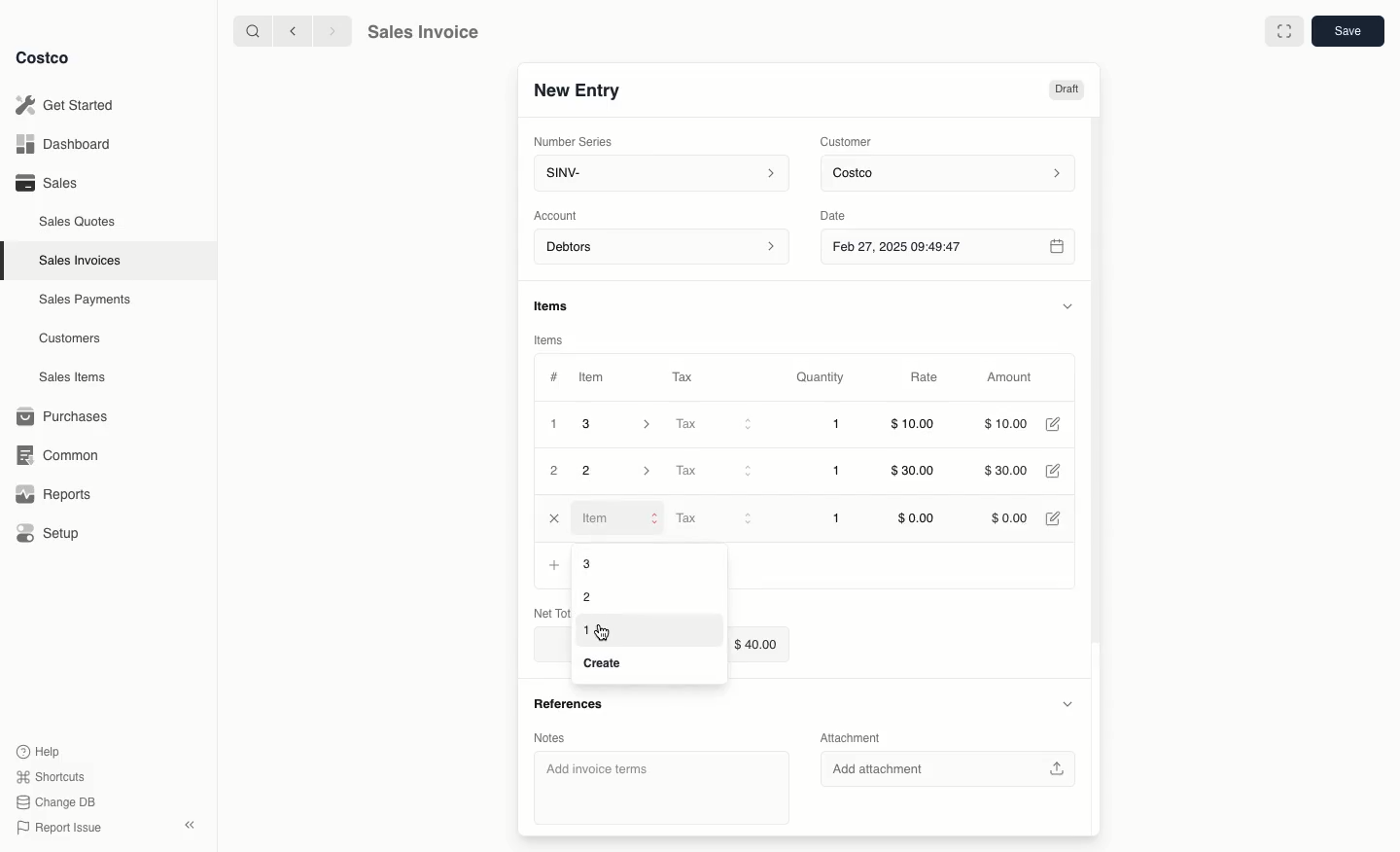  I want to click on $30.00, so click(917, 472).